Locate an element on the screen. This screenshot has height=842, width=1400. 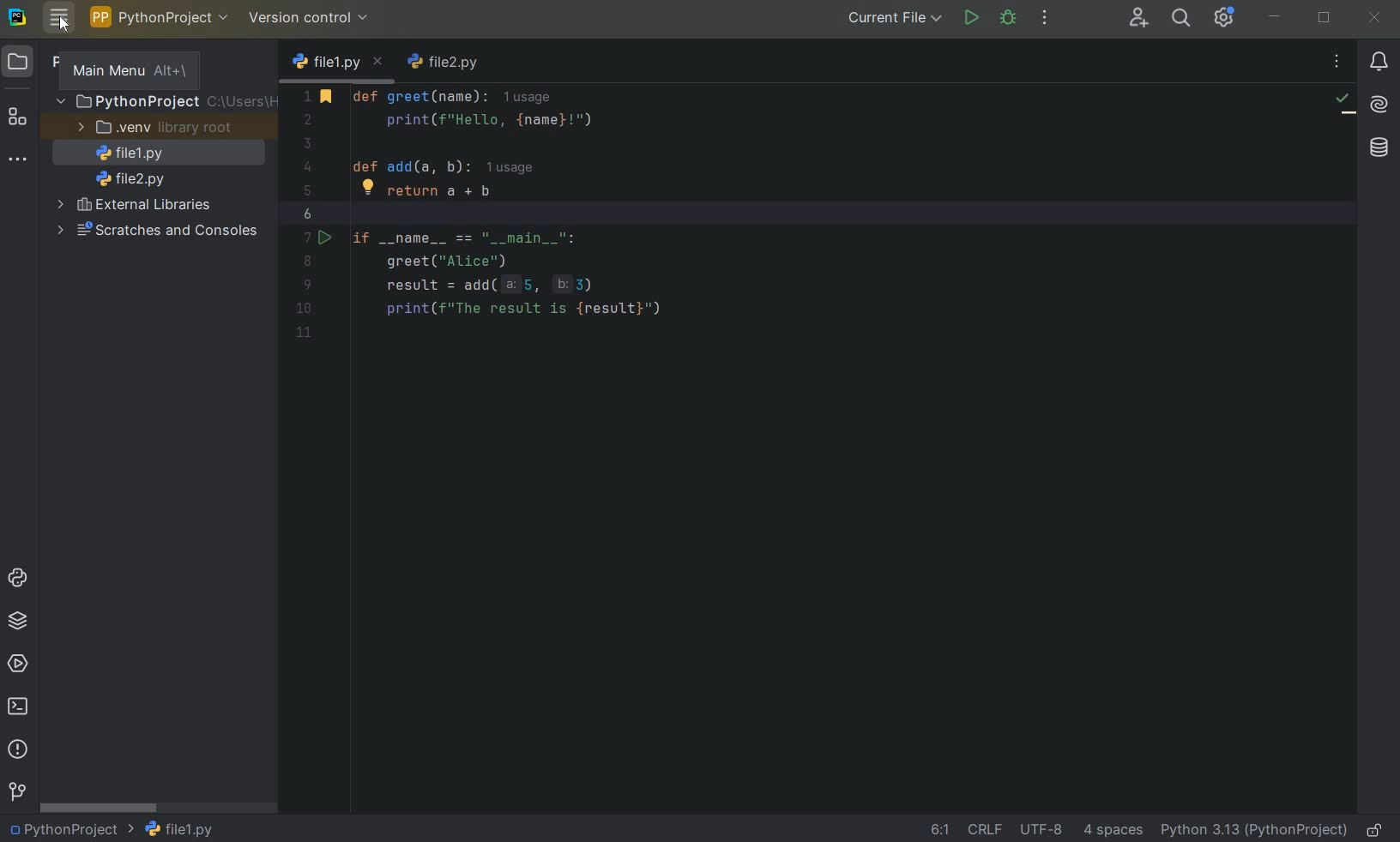
more actions is located at coordinates (1043, 19).